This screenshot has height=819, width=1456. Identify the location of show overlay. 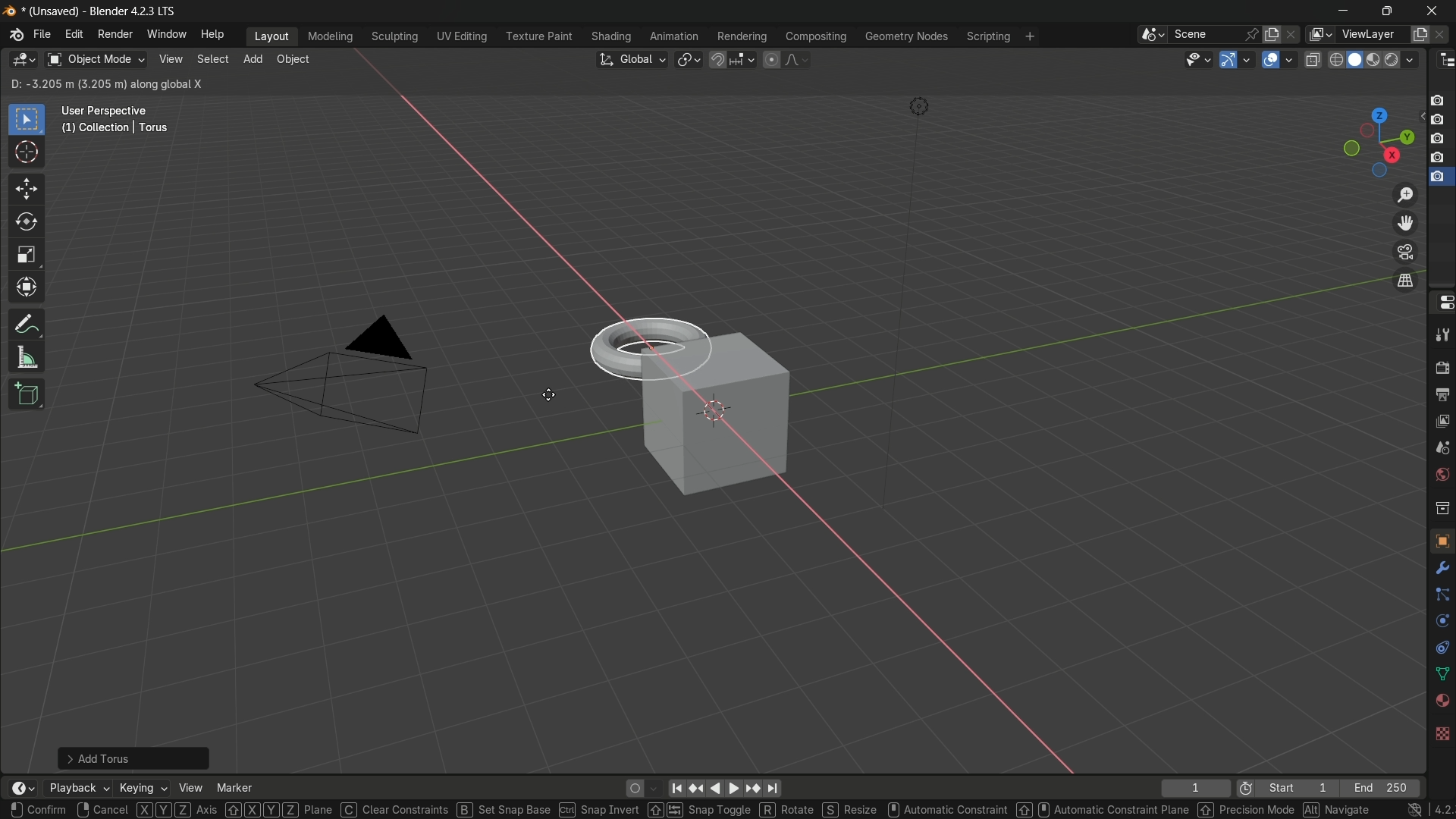
(1270, 60).